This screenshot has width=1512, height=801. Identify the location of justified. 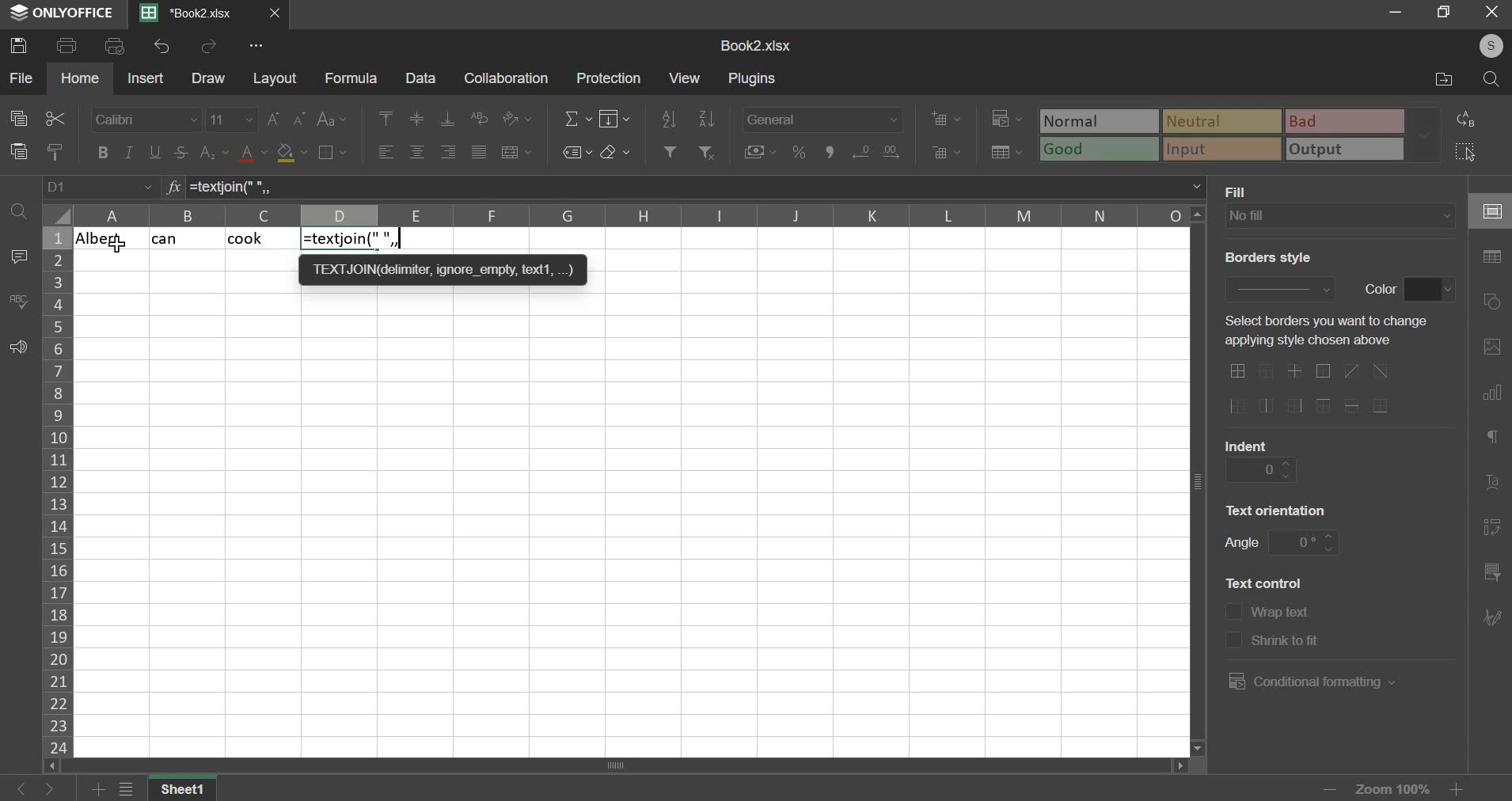
(478, 151).